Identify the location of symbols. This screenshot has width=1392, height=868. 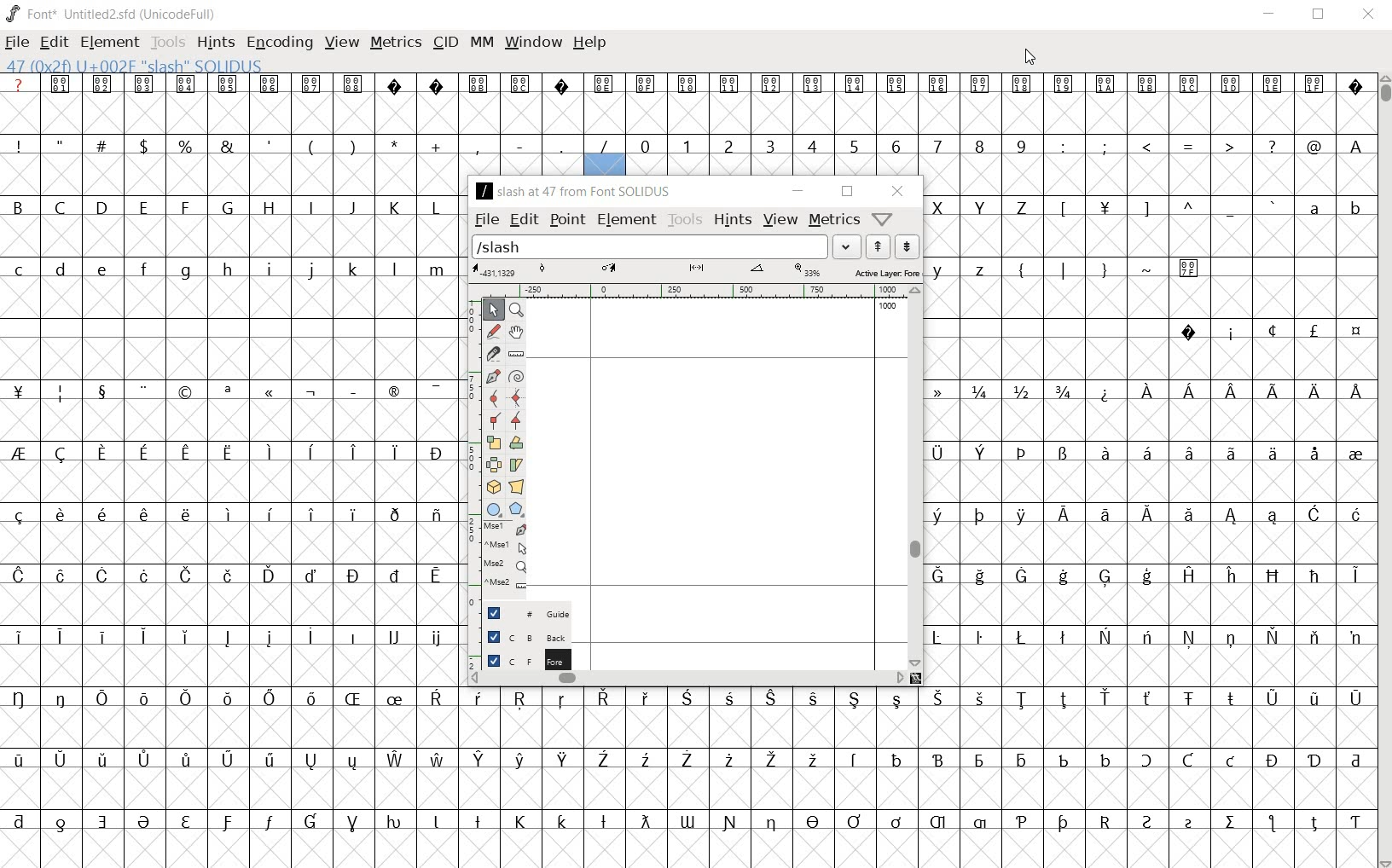
(1189, 146).